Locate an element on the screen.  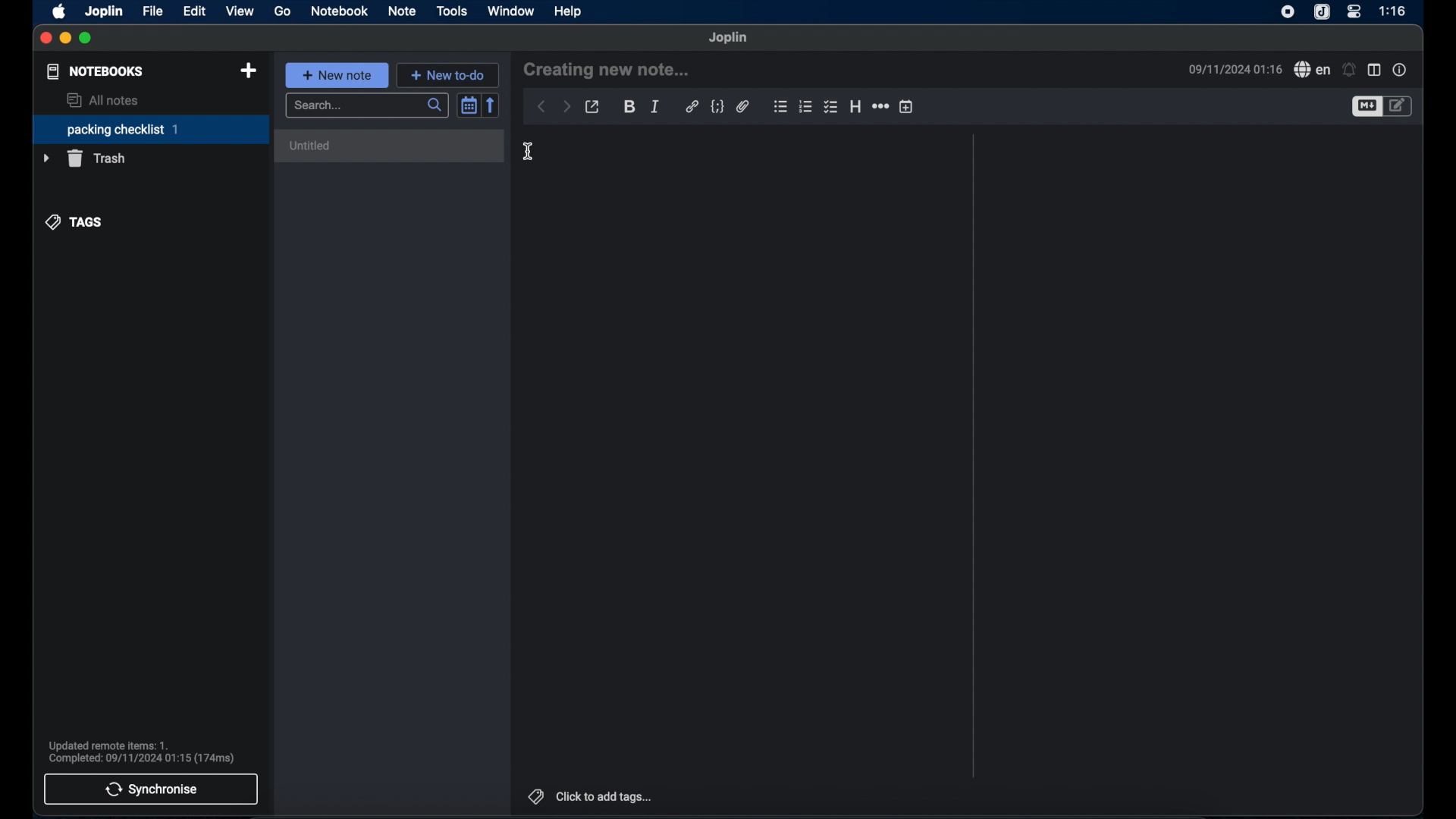
horizontal rule is located at coordinates (880, 107).